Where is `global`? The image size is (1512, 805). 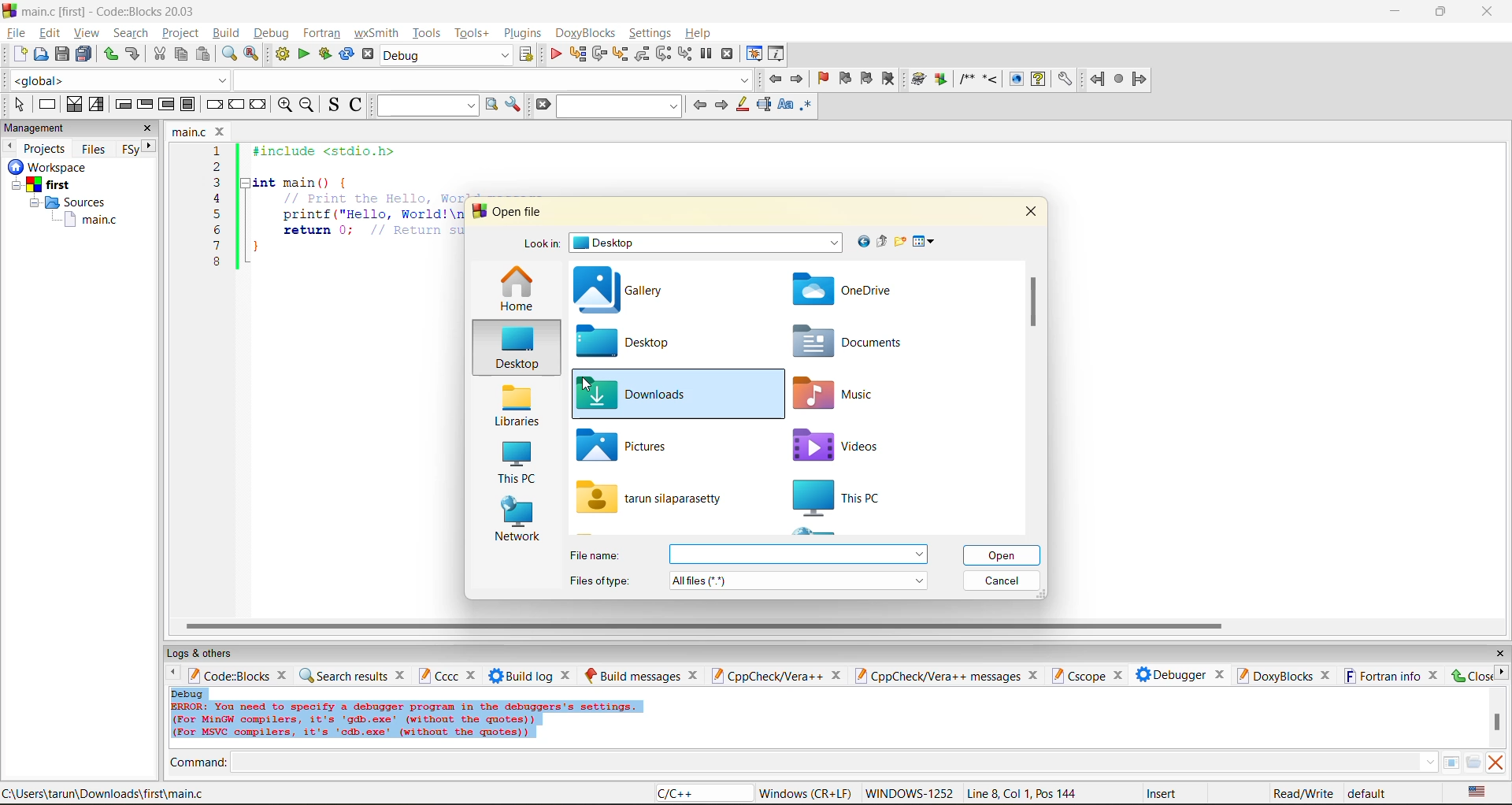
global is located at coordinates (117, 80).